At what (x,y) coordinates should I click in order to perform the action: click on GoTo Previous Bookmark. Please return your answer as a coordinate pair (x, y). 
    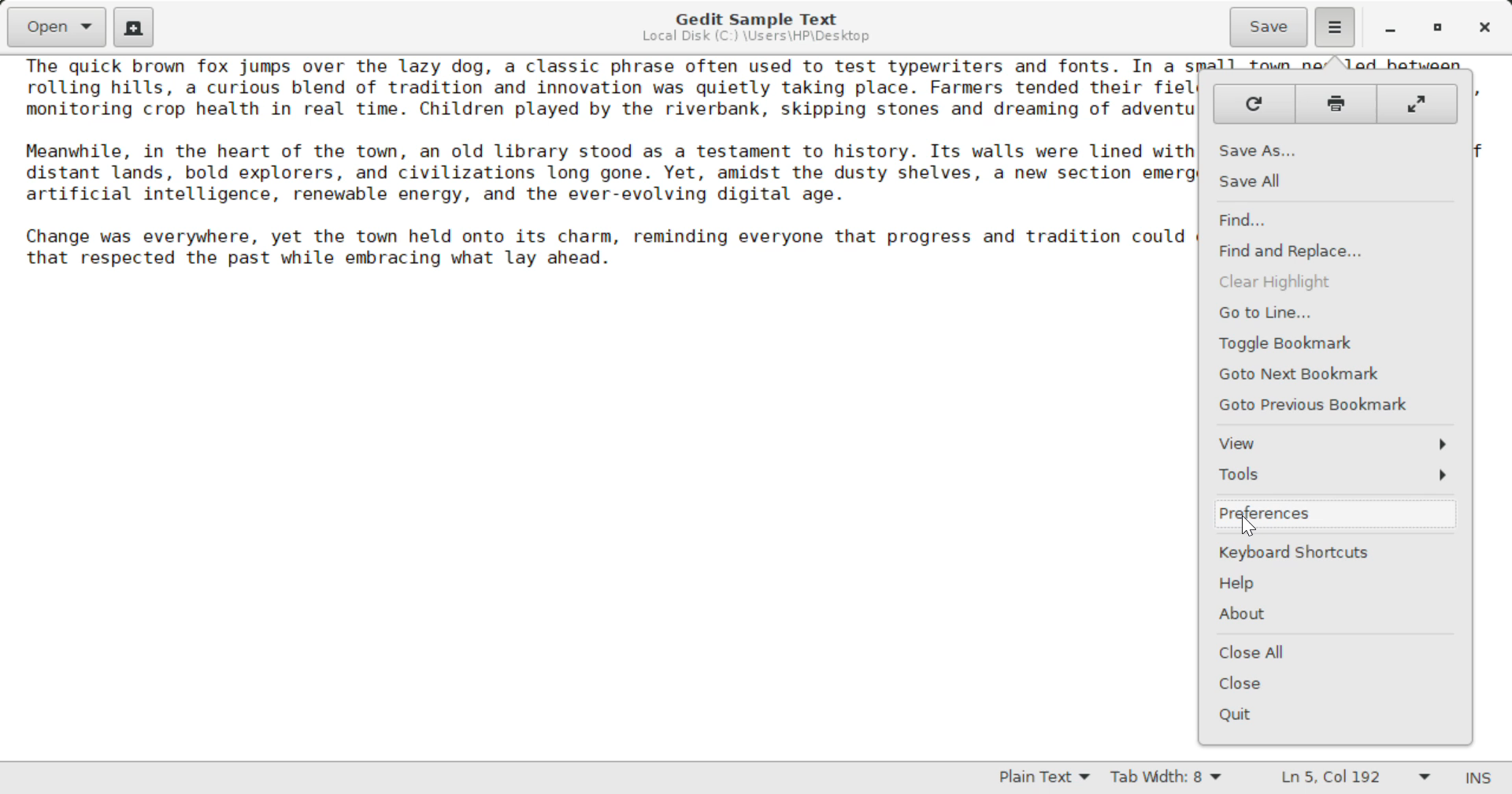
    Looking at the image, I should click on (1314, 406).